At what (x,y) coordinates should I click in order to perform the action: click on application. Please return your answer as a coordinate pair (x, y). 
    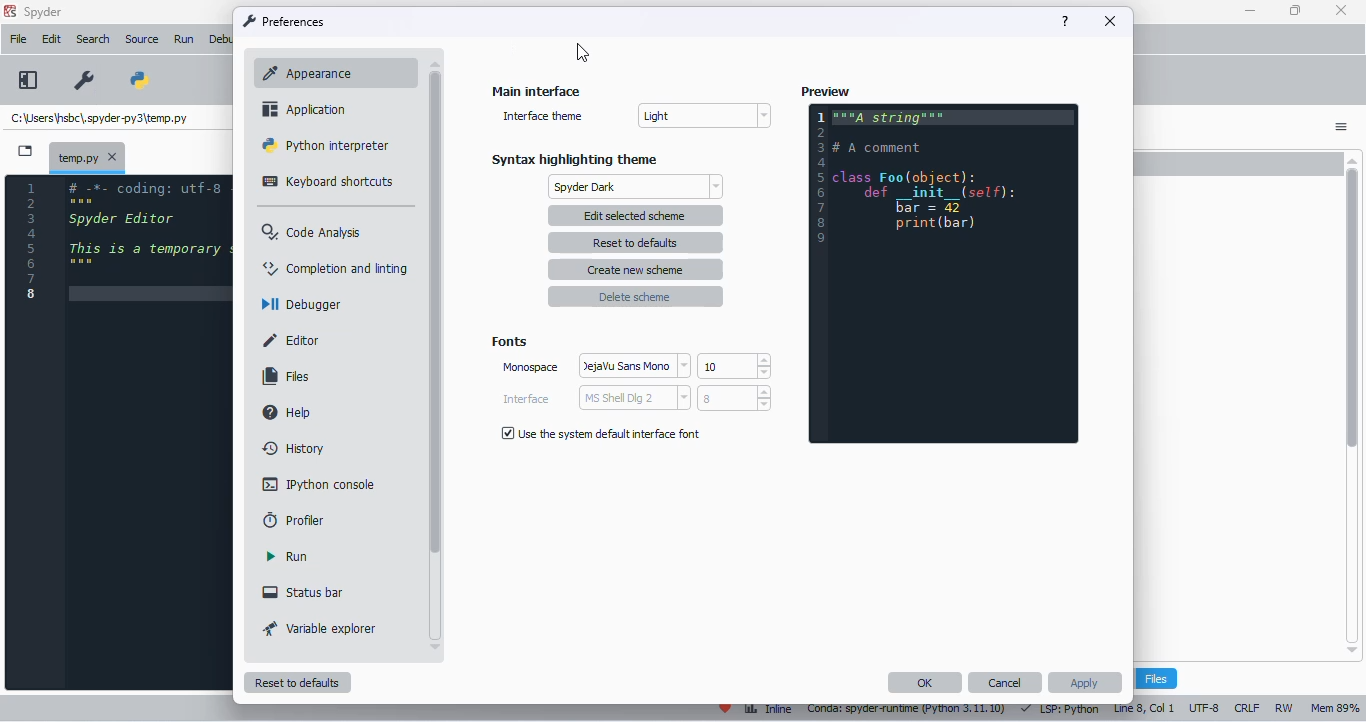
    Looking at the image, I should click on (306, 108).